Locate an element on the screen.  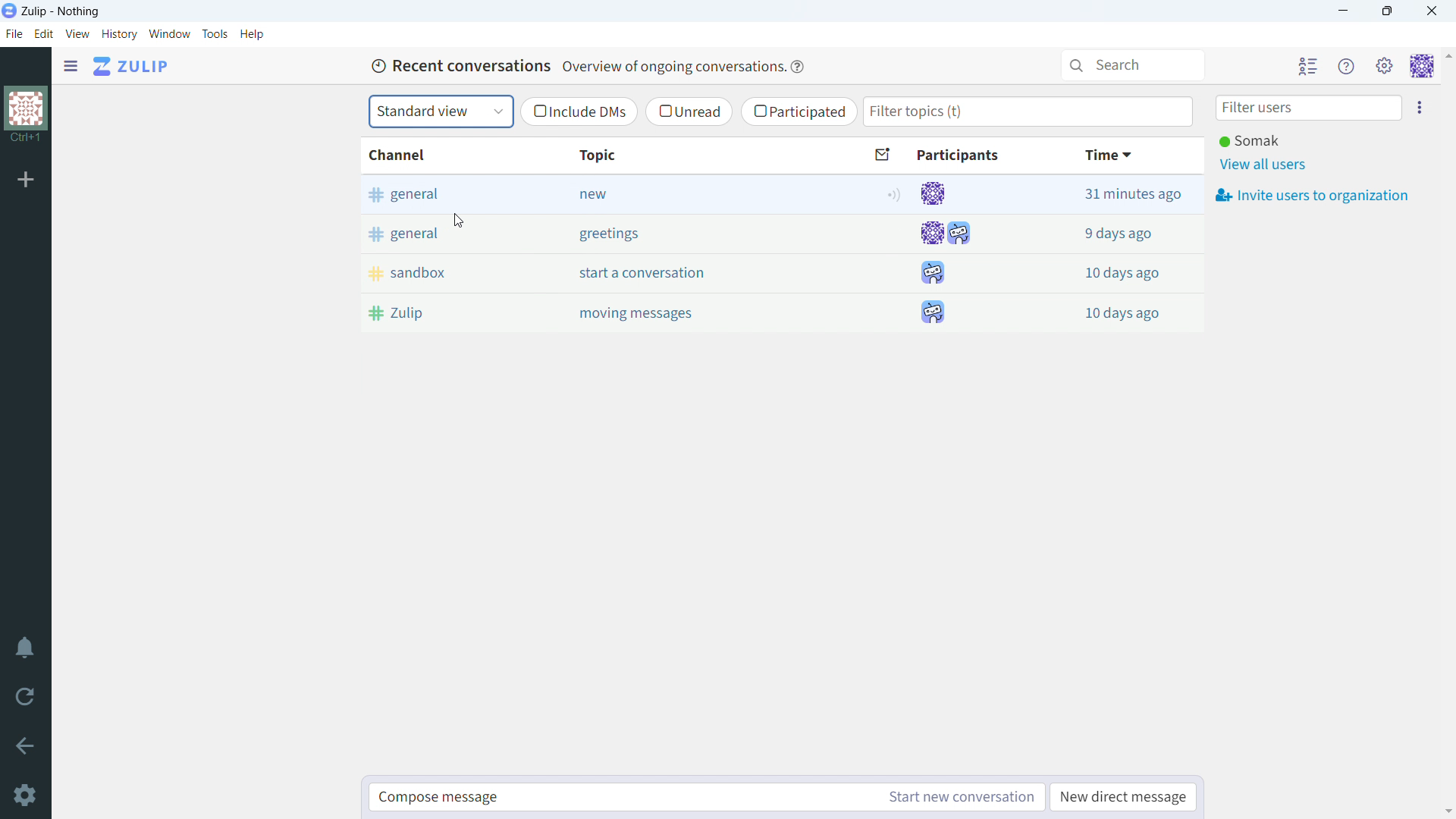
add is located at coordinates (23, 178).